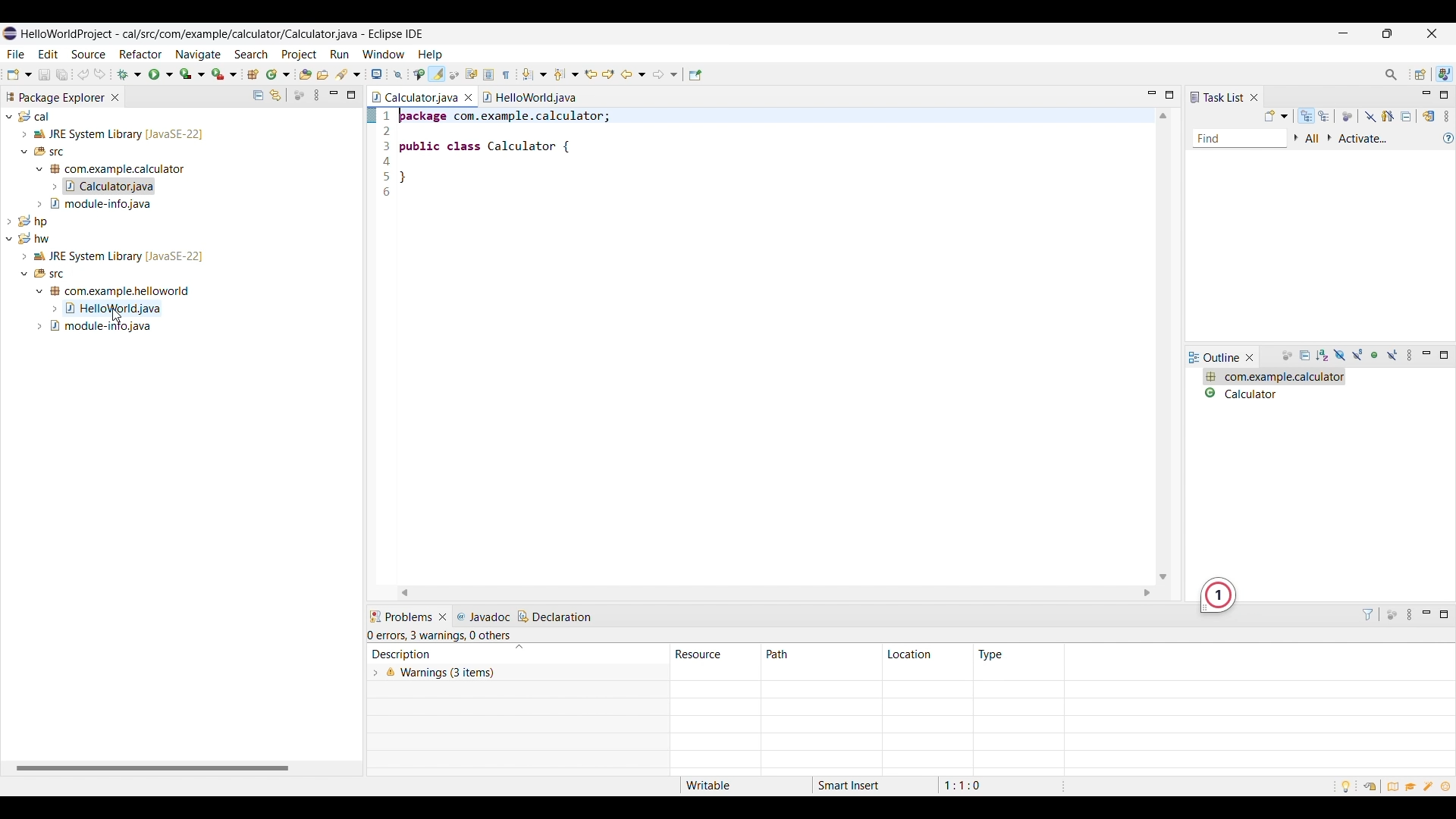  Describe the element at coordinates (1392, 615) in the screenshot. I see `Focus on active task` at that location.